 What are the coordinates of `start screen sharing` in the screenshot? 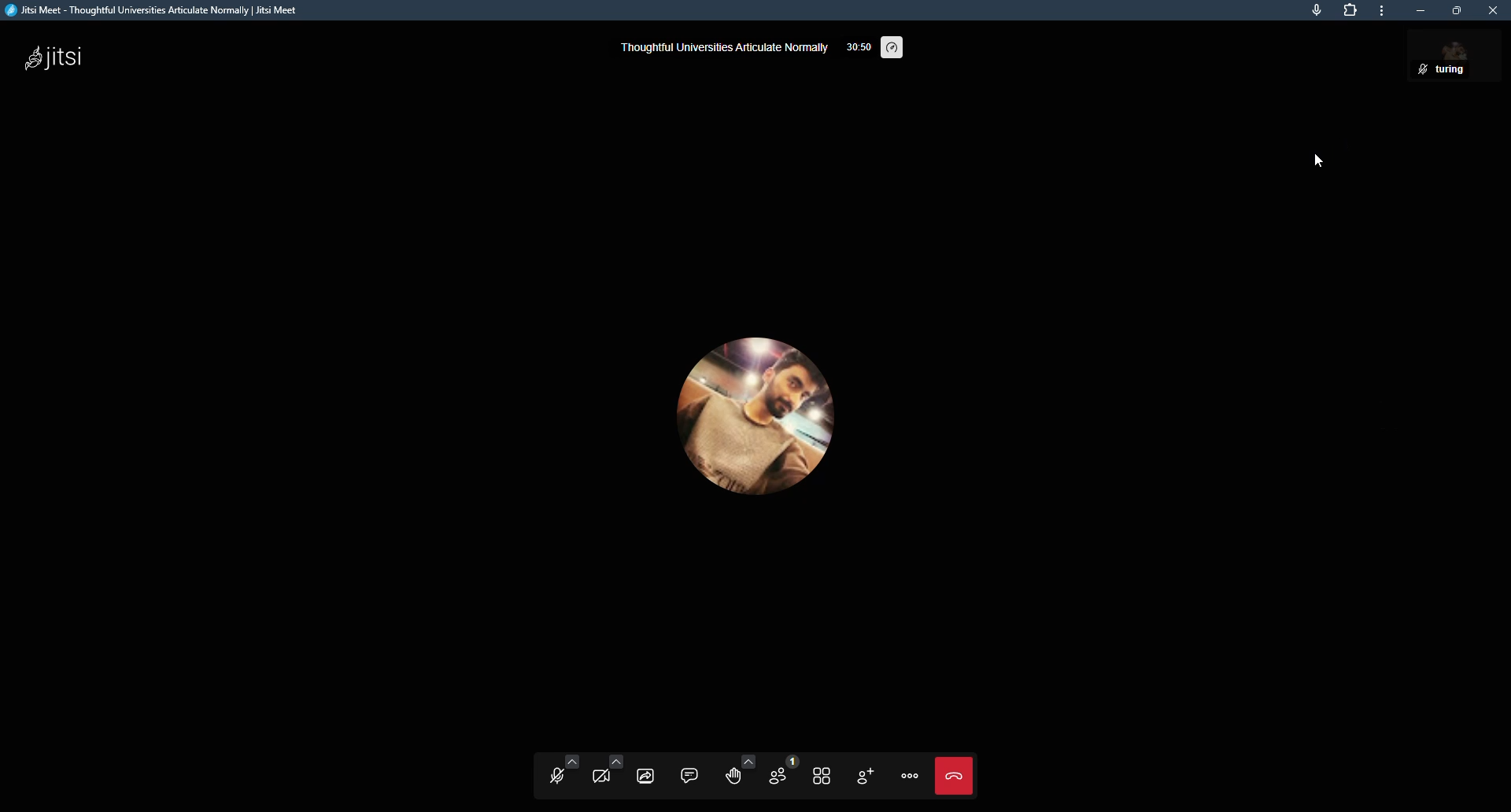 It's located at (648, 773).